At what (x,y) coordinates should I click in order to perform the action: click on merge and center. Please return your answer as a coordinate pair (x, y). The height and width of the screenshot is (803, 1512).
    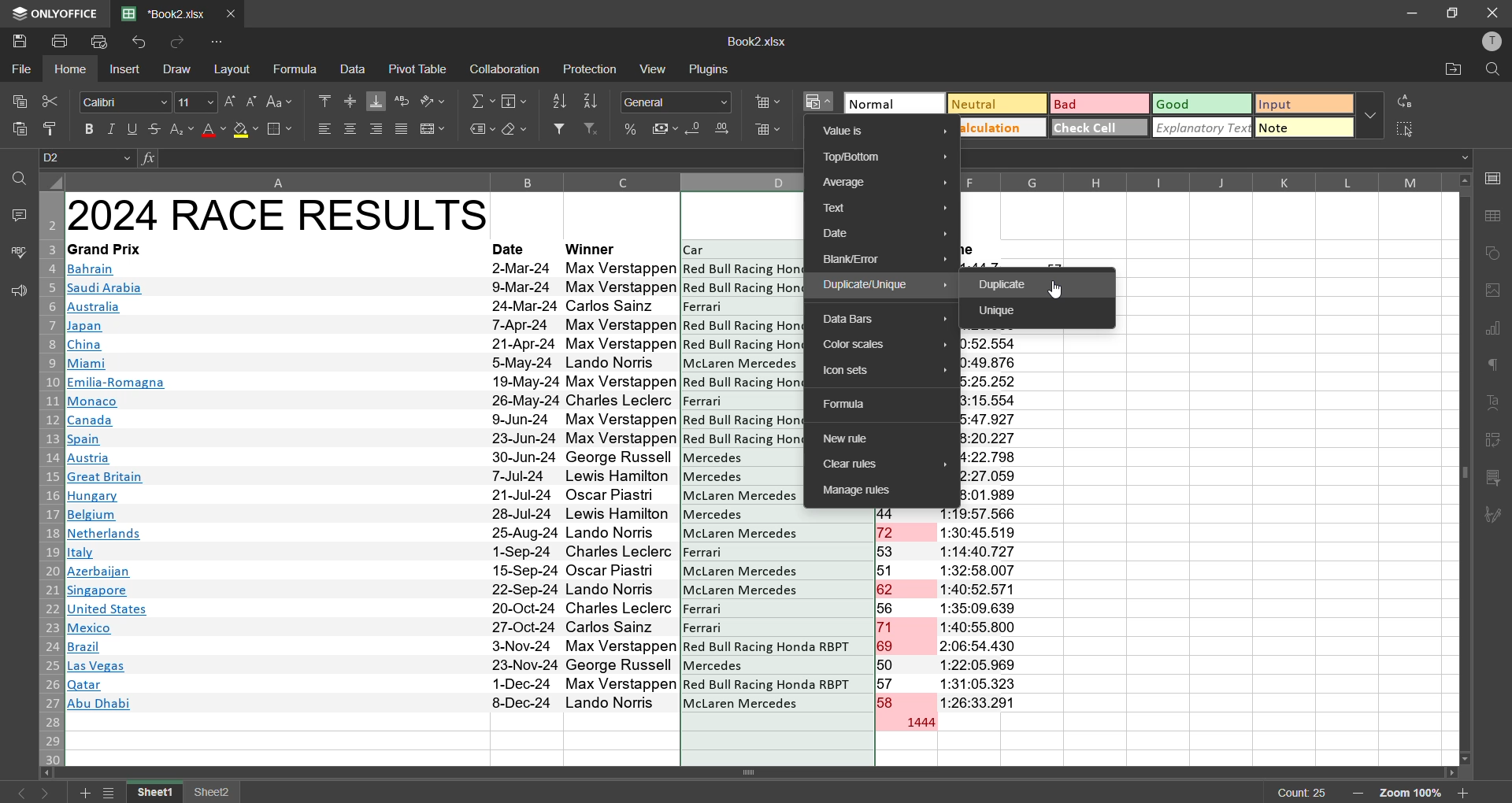
    Looking at the image, I should click on (432, 130).